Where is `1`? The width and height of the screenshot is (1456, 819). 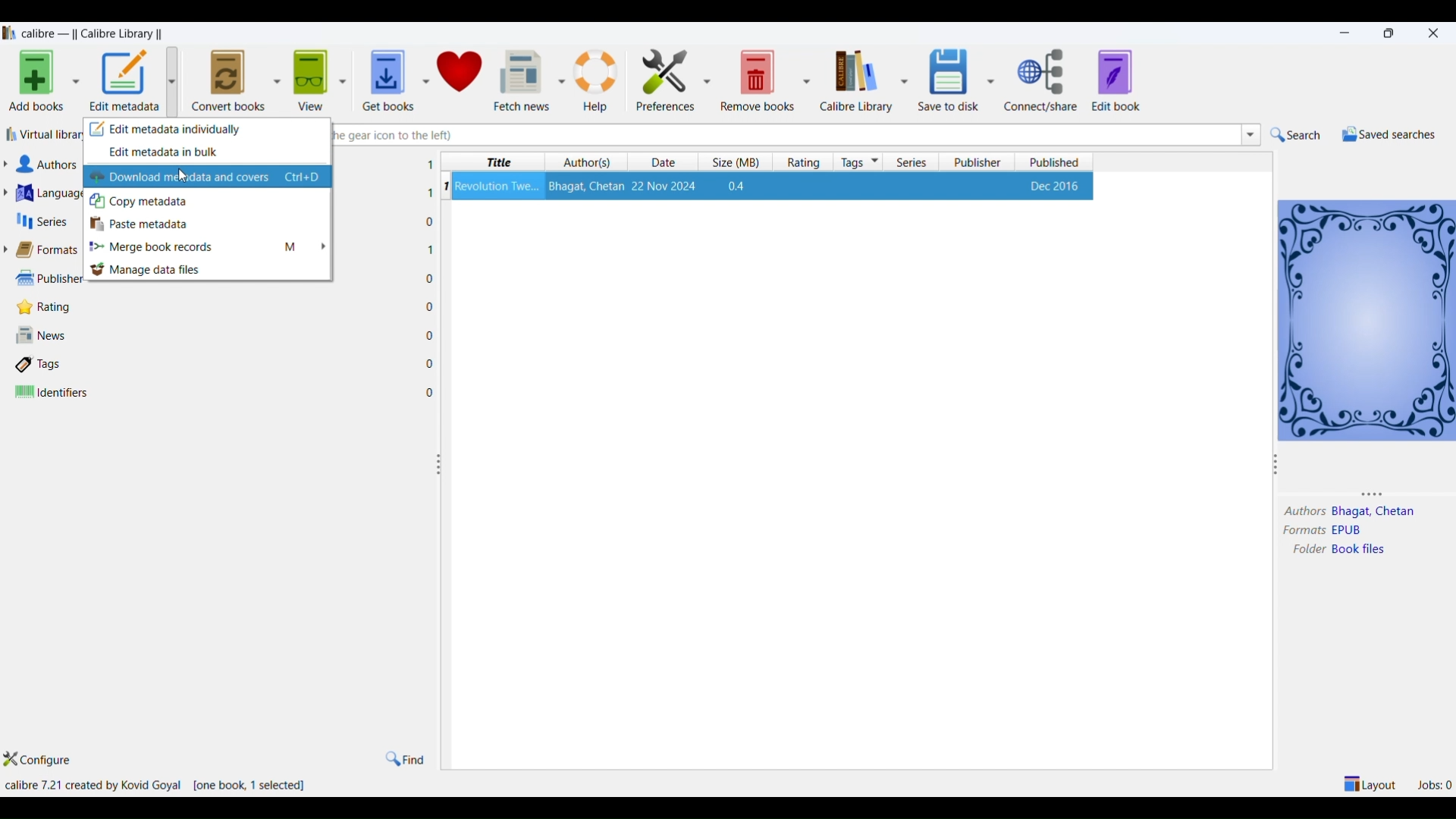
1 is located at coordinates (445, 186).